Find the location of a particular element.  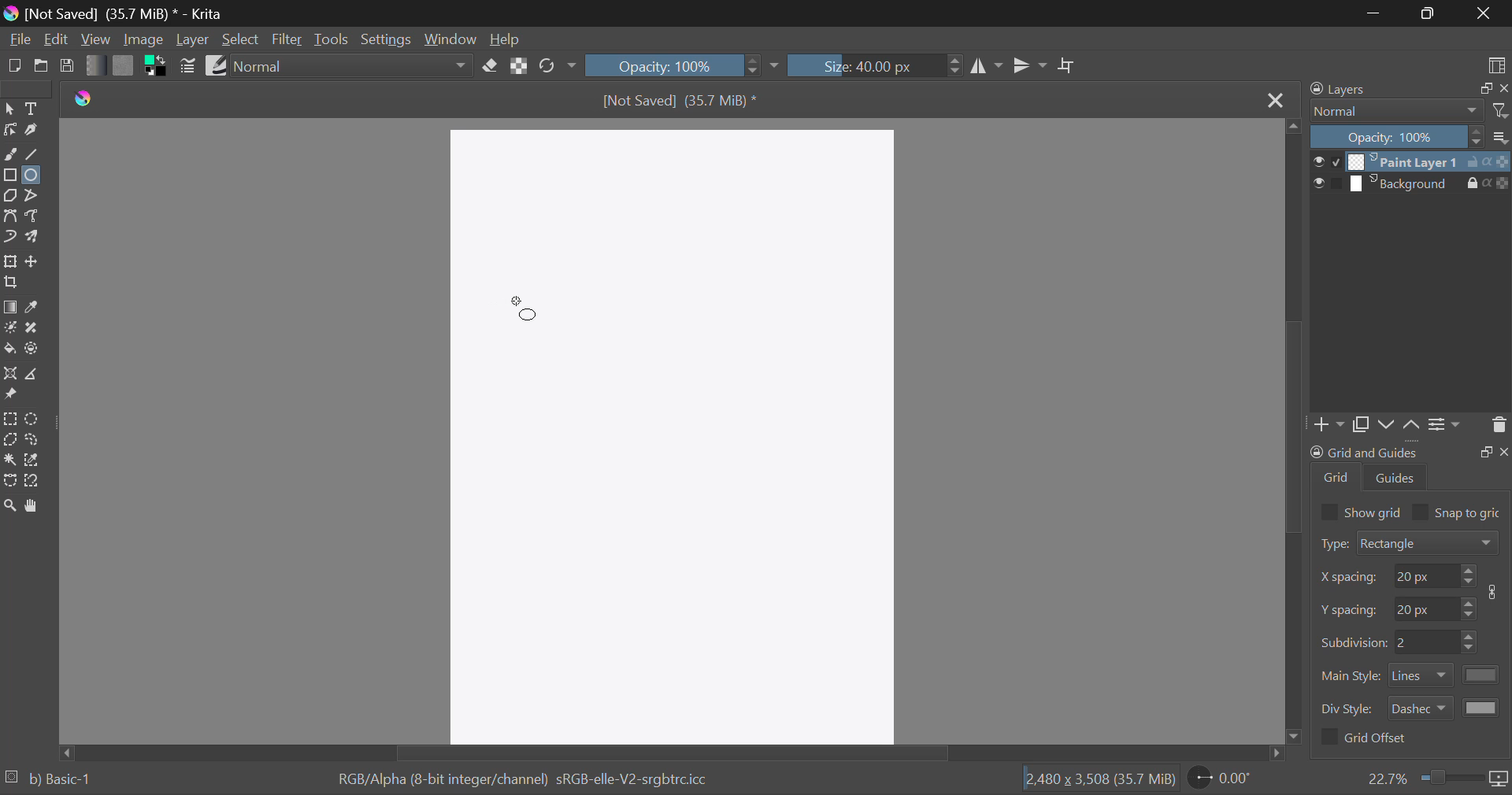

Horizontal Mirror Flip is located at coordinates (1031, 65).